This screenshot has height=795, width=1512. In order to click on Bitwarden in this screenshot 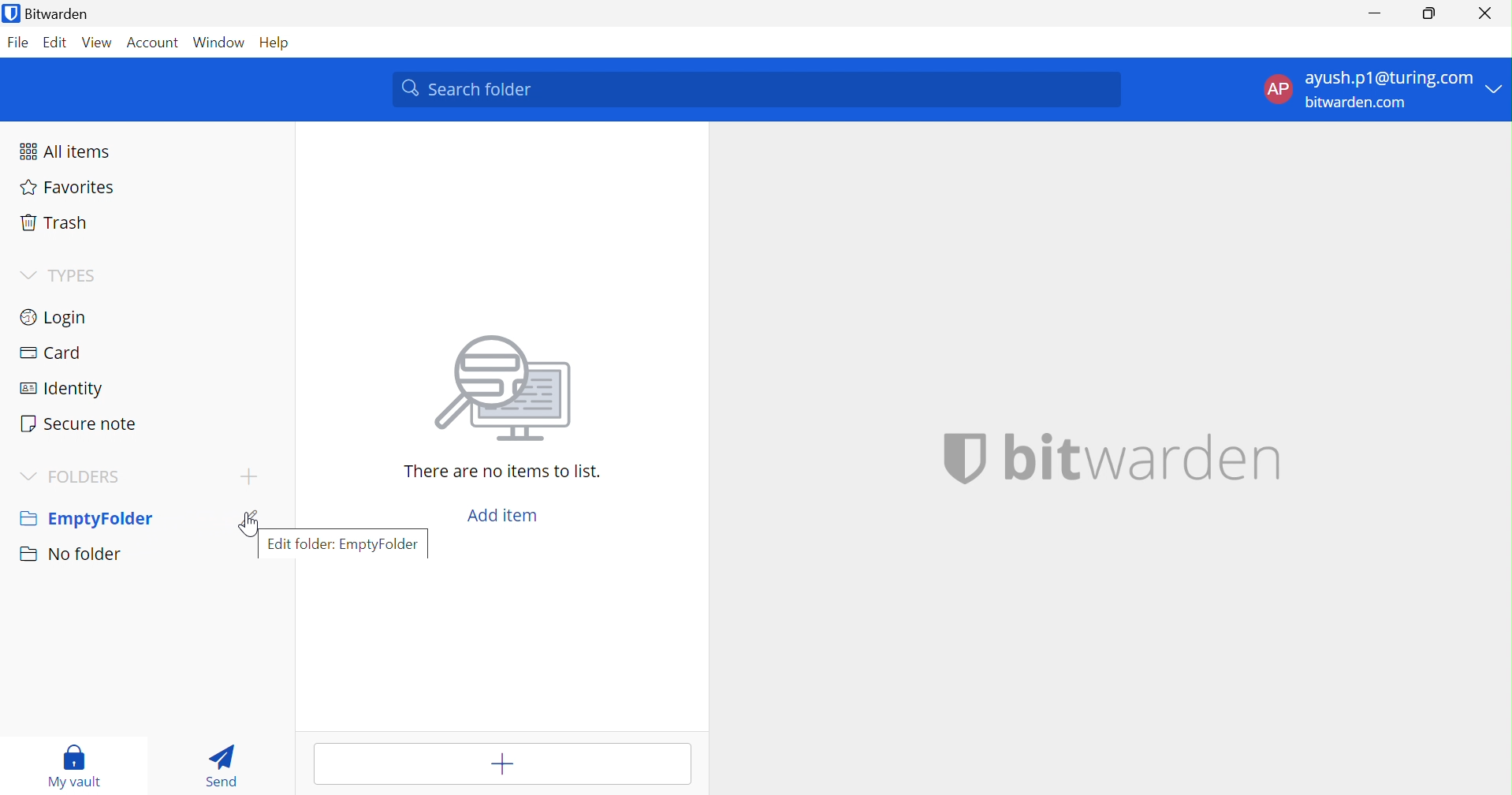, I will do `click(48, 13)`.